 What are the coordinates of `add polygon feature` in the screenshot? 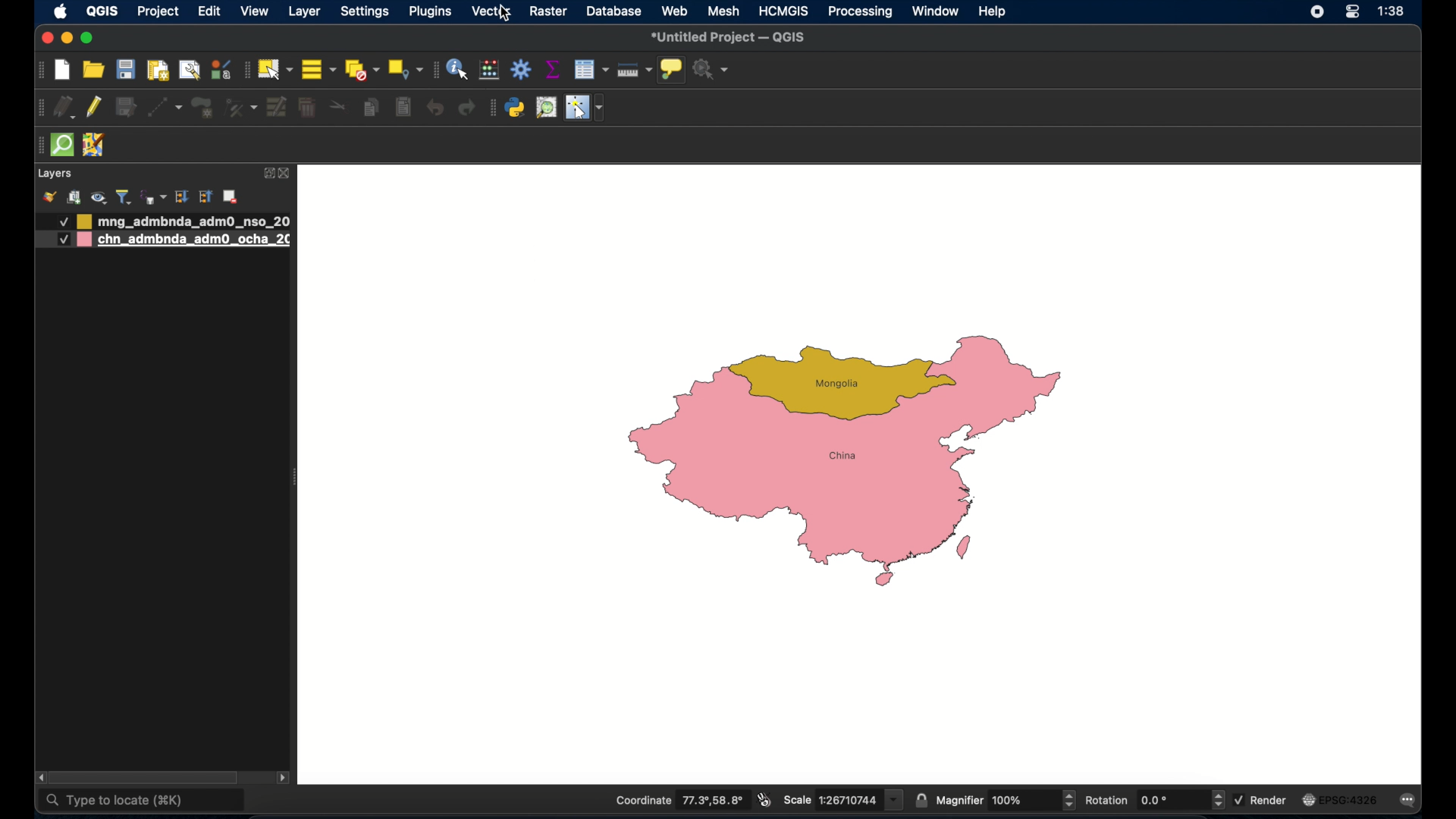 It's located at (202, 107).